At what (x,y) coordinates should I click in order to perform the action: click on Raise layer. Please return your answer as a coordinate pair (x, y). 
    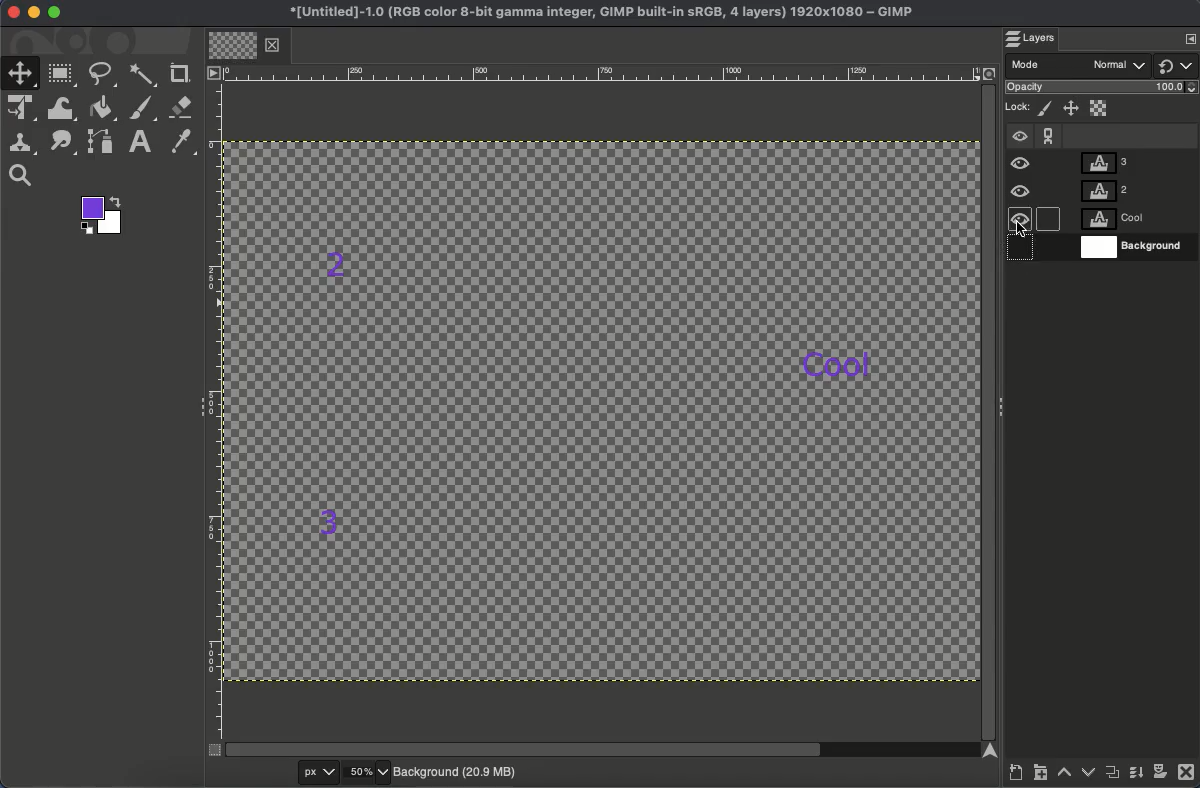
    Looking at the image, I should click on (1065, 777).